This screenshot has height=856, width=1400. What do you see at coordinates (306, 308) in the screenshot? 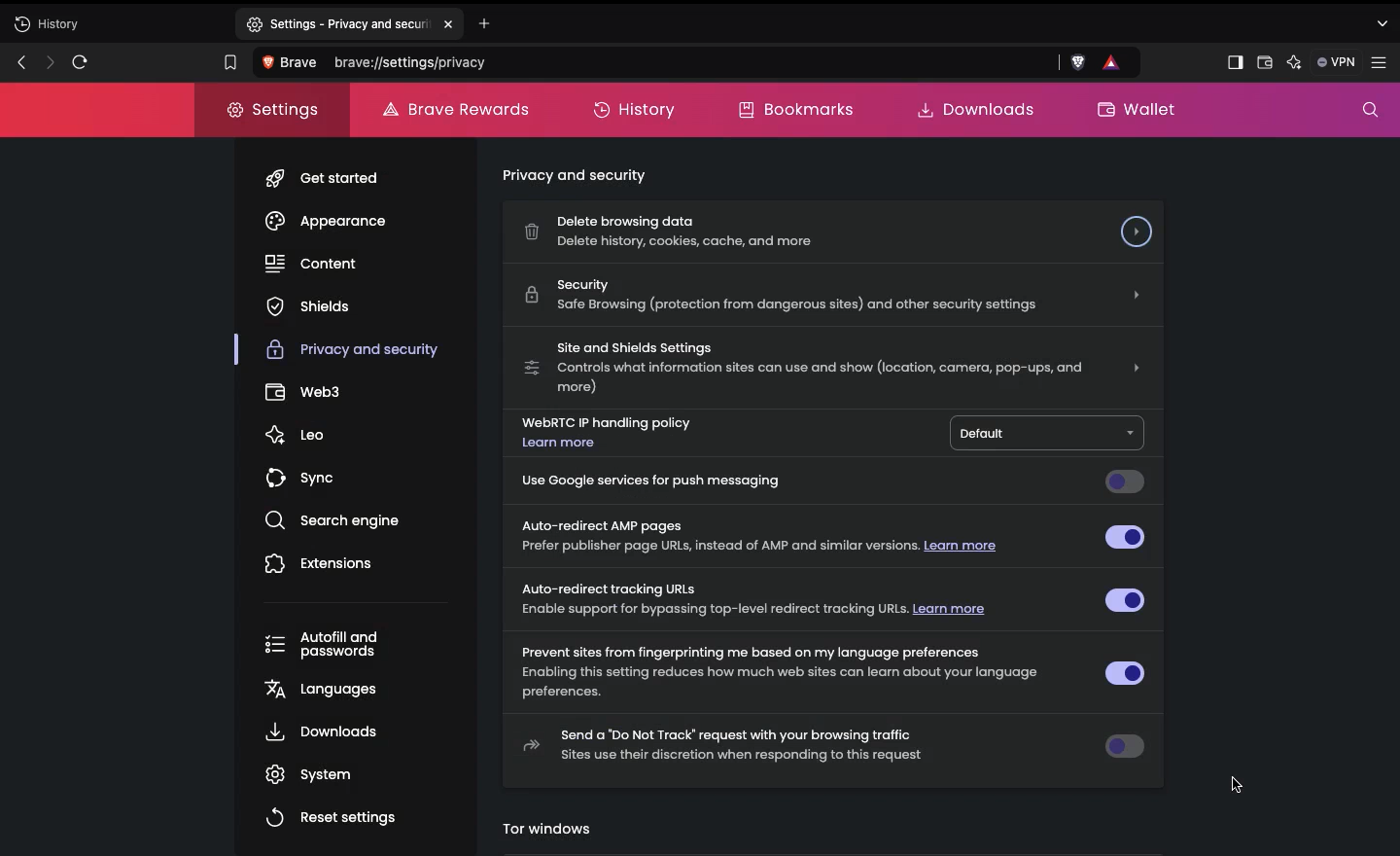
I see `Shields` at bounding box center [306, 308].